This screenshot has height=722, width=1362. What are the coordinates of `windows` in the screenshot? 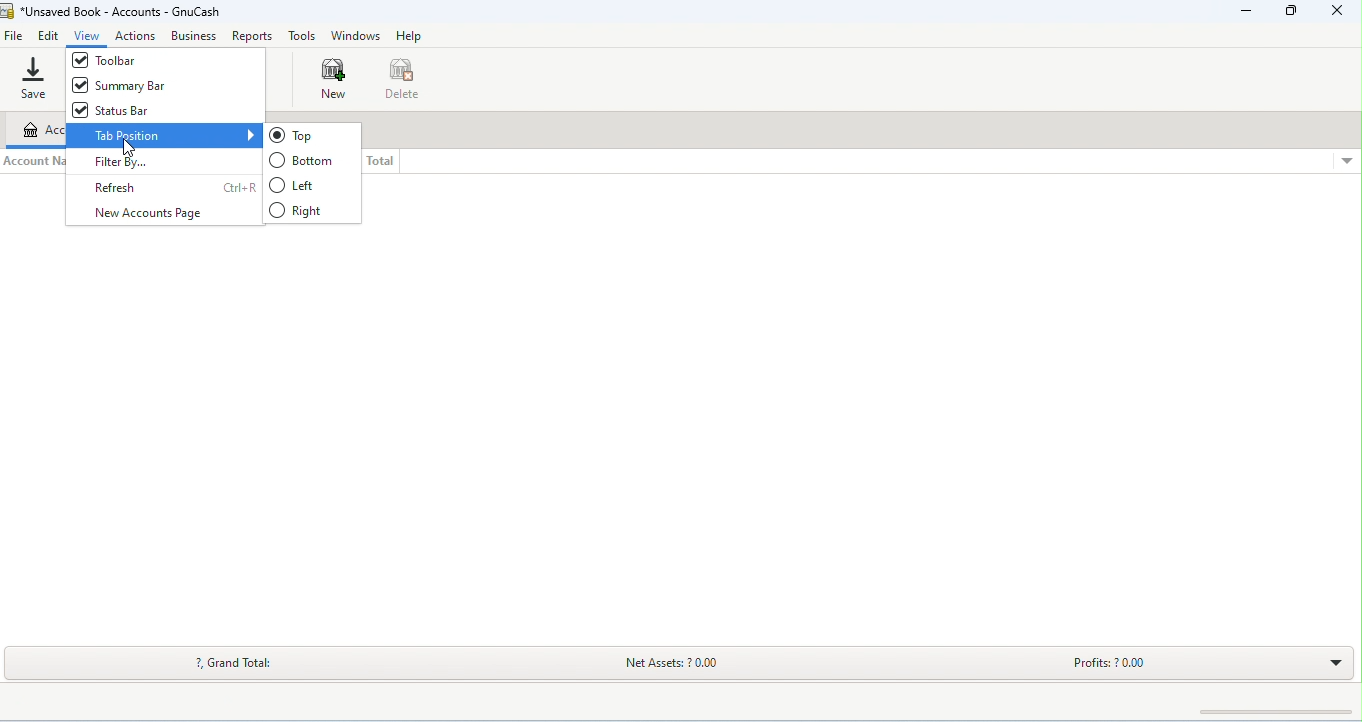 It's located at (357, 36).